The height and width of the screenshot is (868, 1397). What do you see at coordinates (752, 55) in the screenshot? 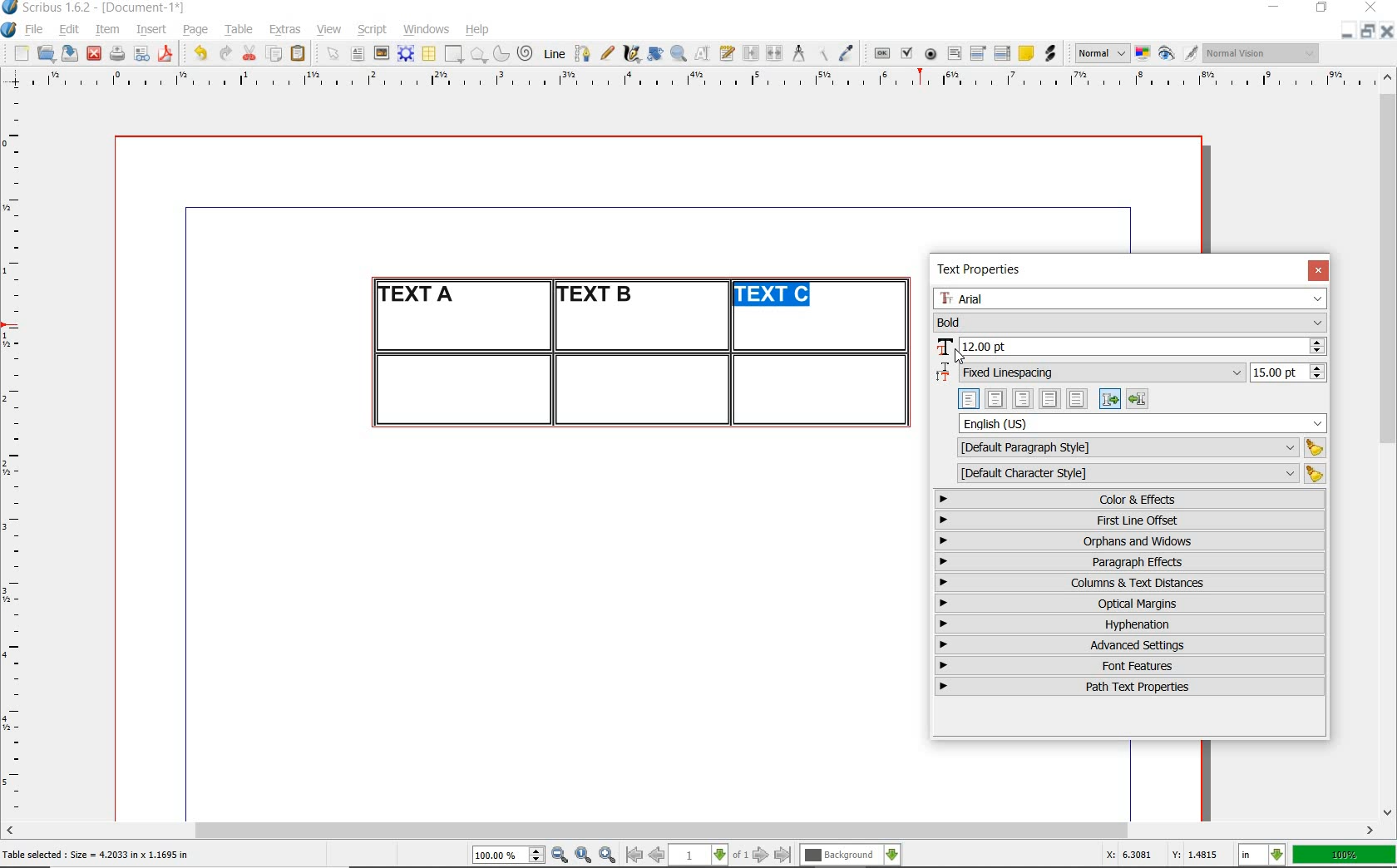
I see `link text frames` at bounding box center [752, 55].